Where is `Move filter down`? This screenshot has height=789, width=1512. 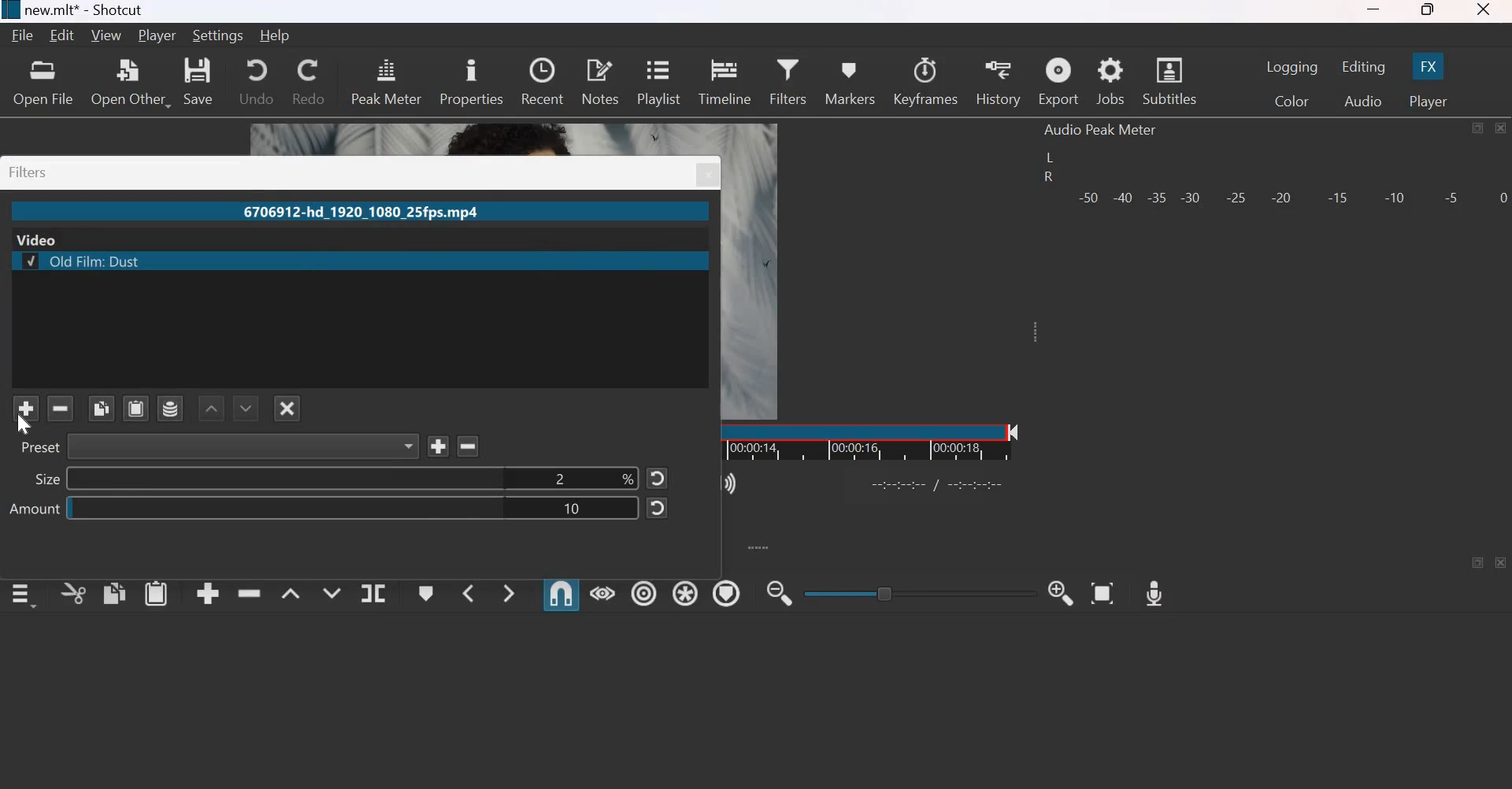 Move filter down is located at coordinates (246, 408).